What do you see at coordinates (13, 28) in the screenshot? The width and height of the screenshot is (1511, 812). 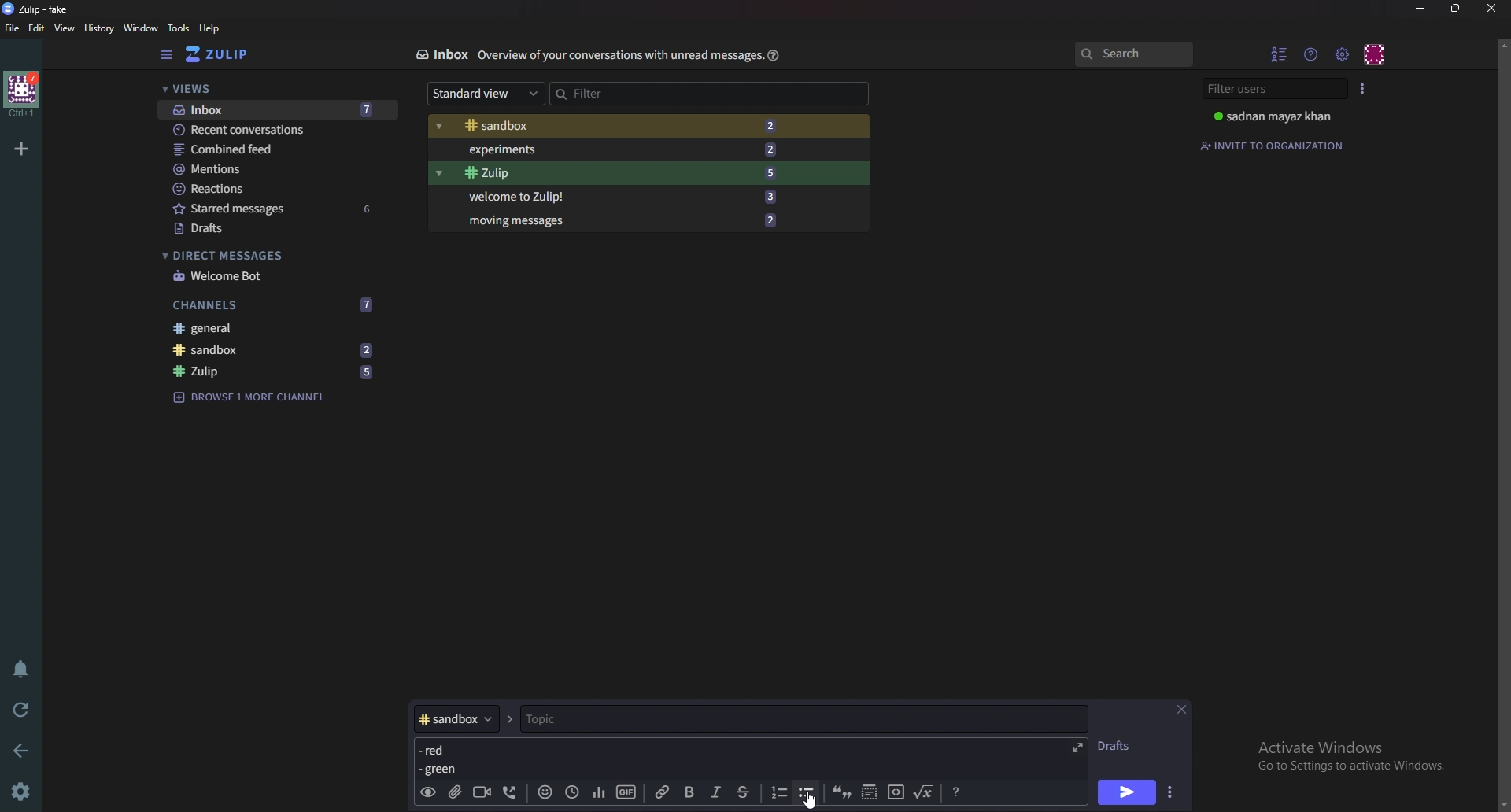 I see `File` at bounding box center [13, 28].